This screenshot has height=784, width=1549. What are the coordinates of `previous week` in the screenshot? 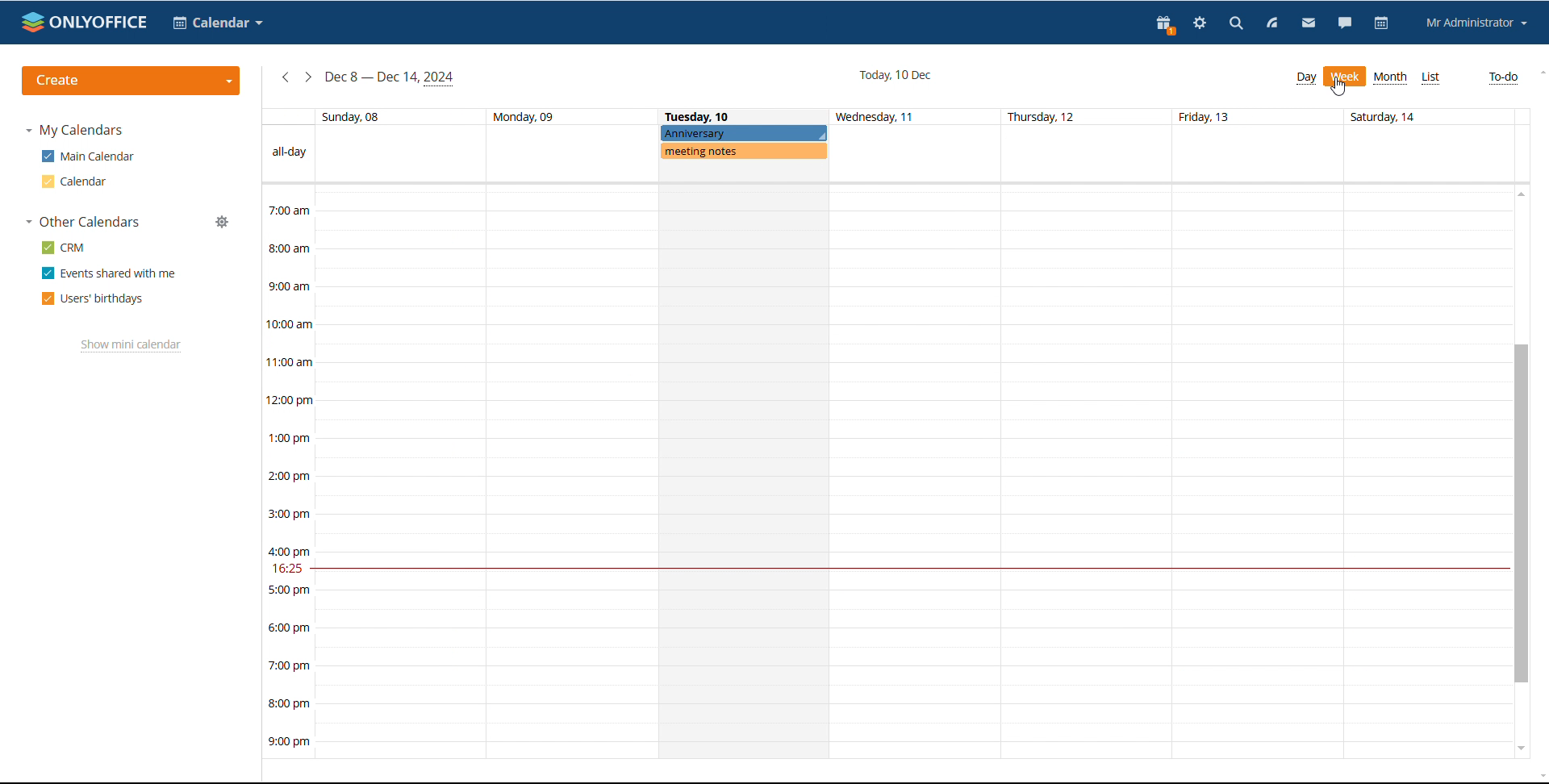 It's located at (286, 77).